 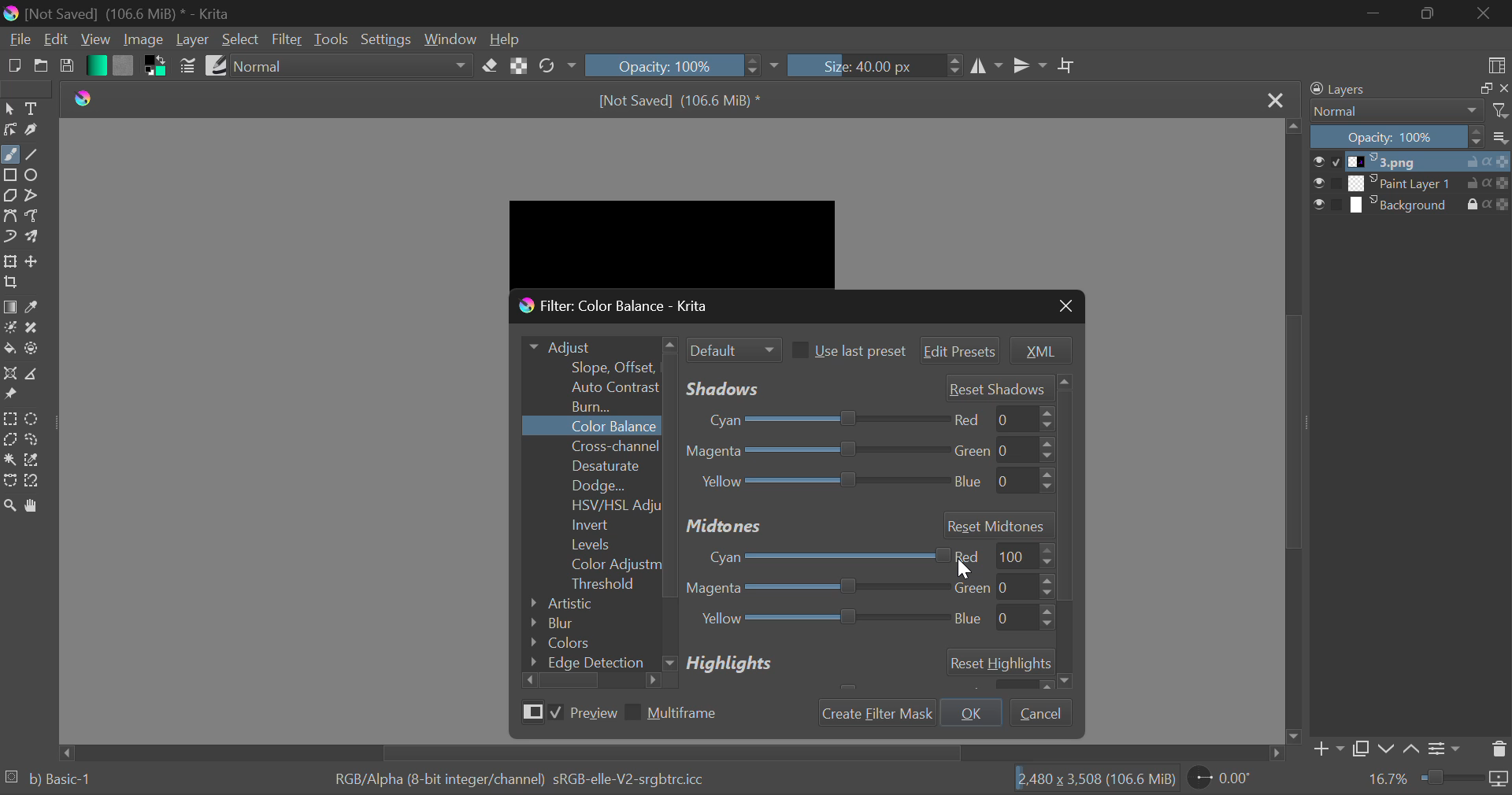 What do you see at coordinates (67, 782) in the screenshot?
I see `b) Basic 1` at bounding box center [67, 782].